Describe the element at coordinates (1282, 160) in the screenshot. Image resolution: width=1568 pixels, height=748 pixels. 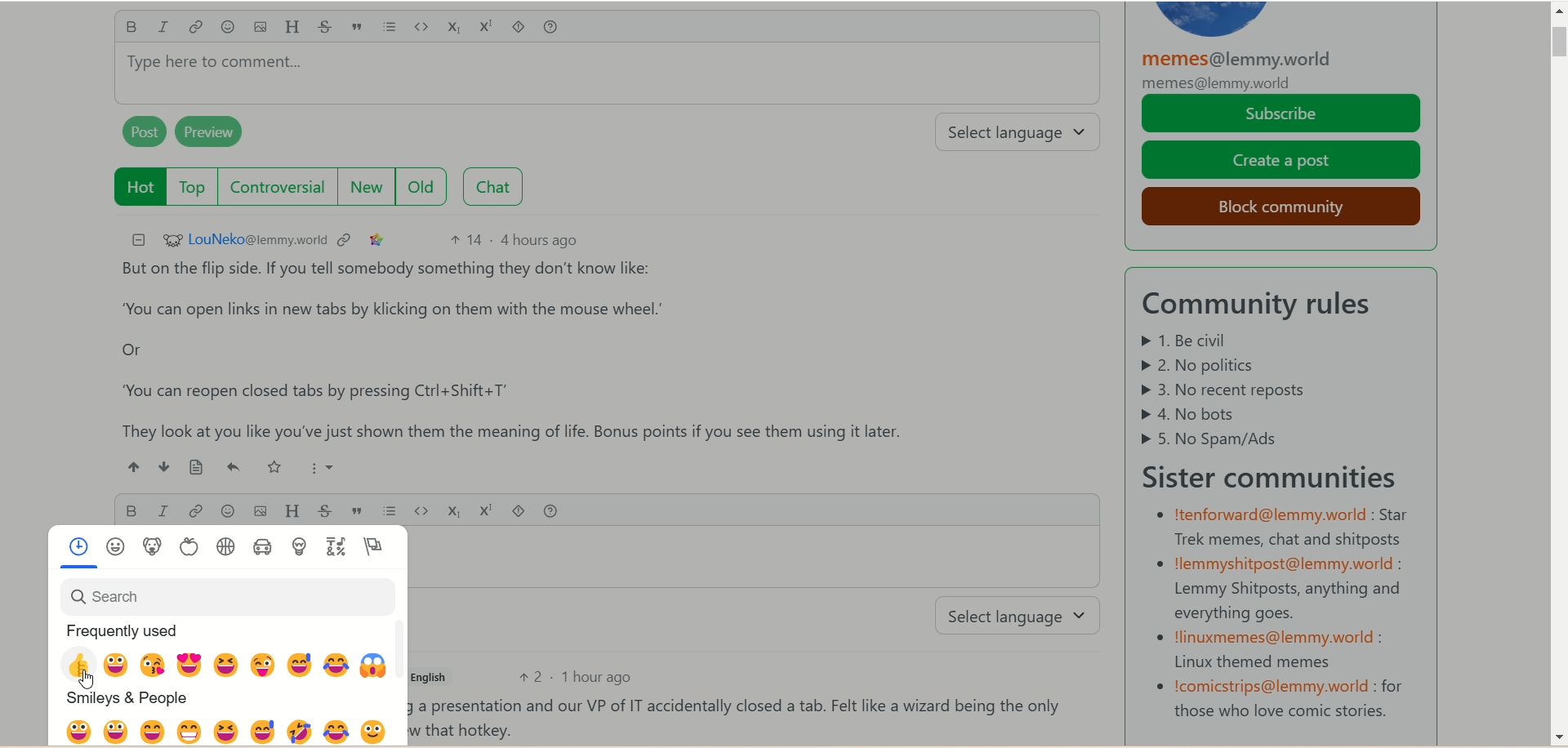
I see `create a post` at that location.